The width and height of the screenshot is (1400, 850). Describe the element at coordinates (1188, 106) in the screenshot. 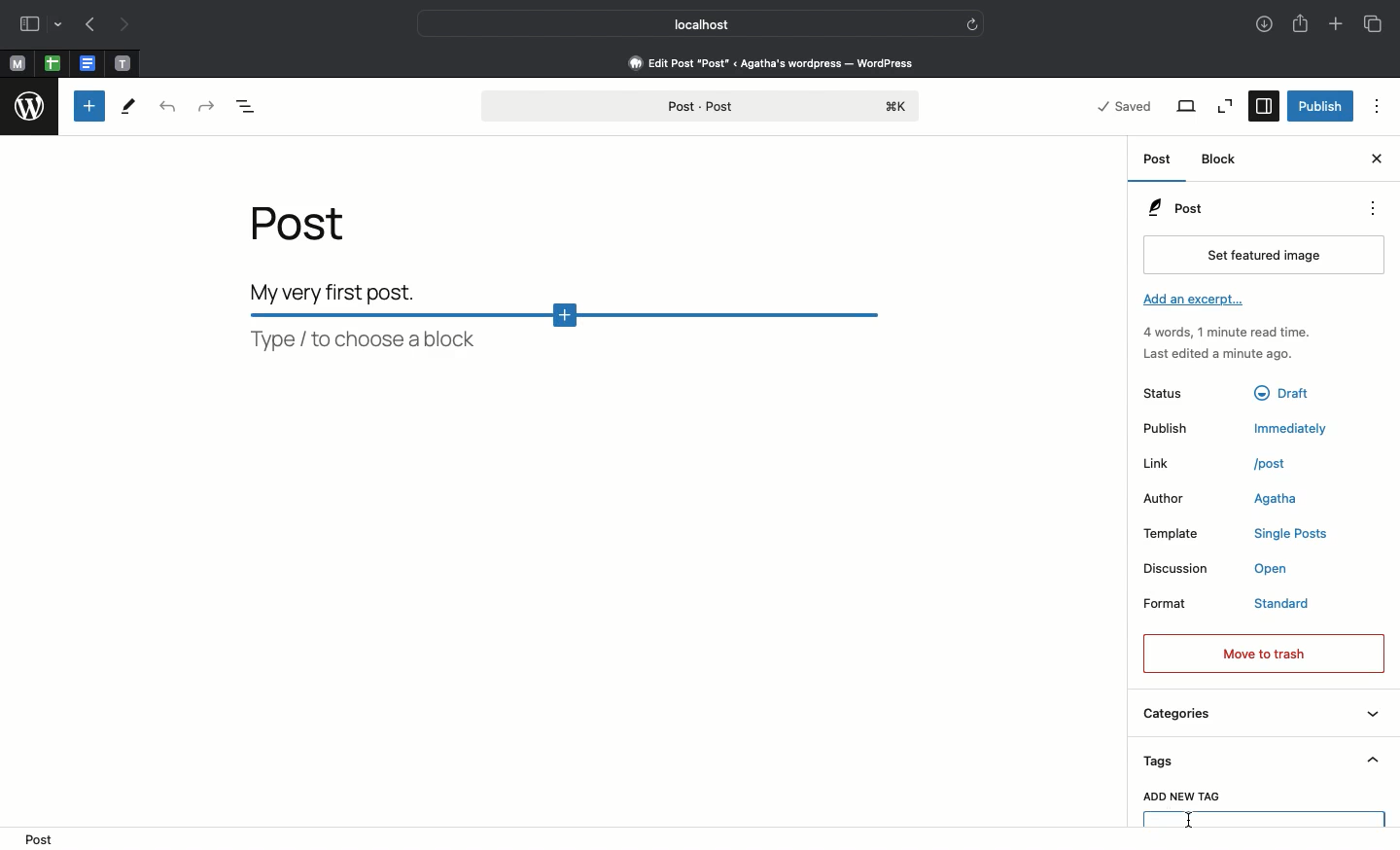

I see `View` at that location.